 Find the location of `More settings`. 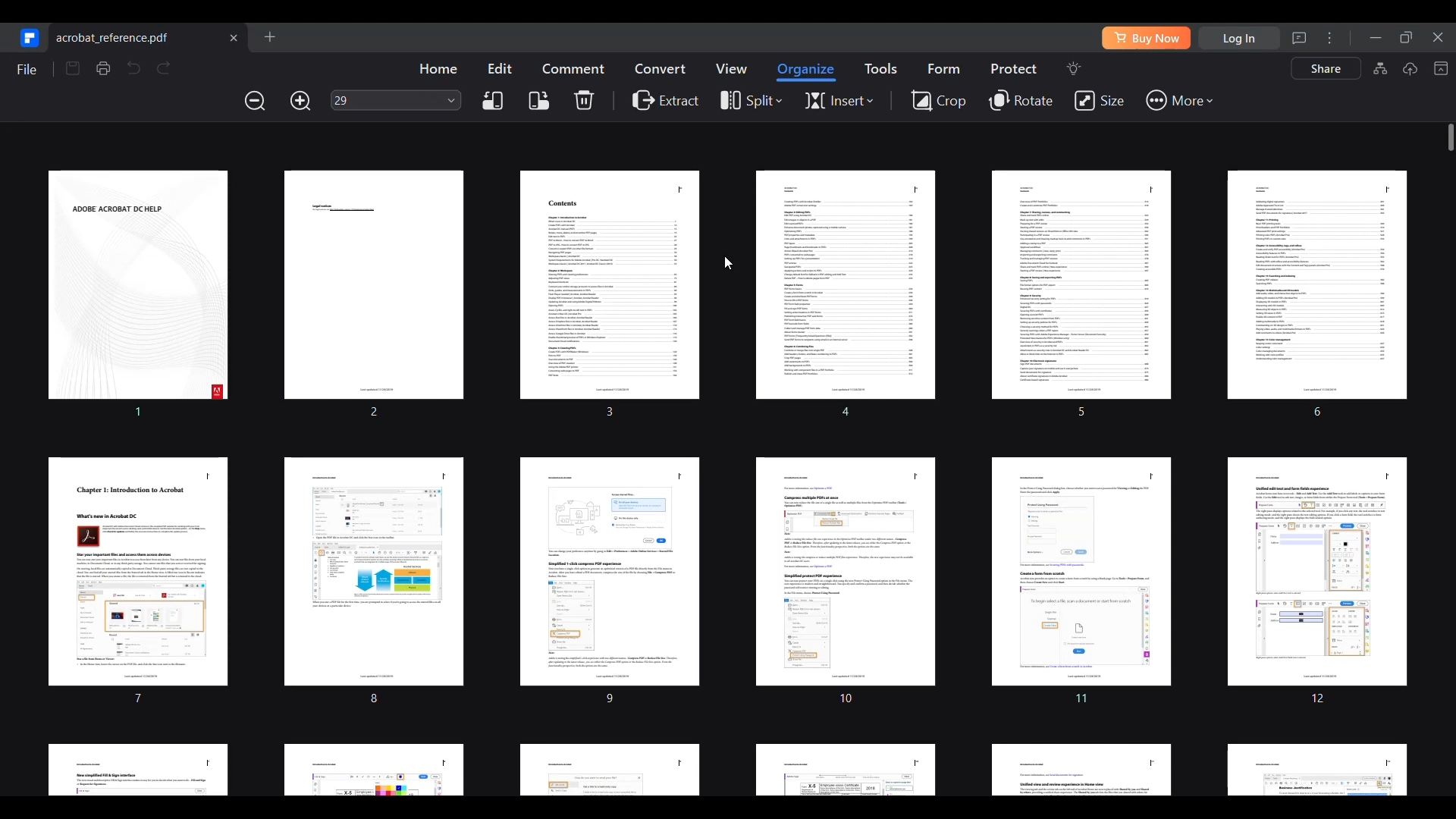

More settings is located at coordinates (1329, 37).